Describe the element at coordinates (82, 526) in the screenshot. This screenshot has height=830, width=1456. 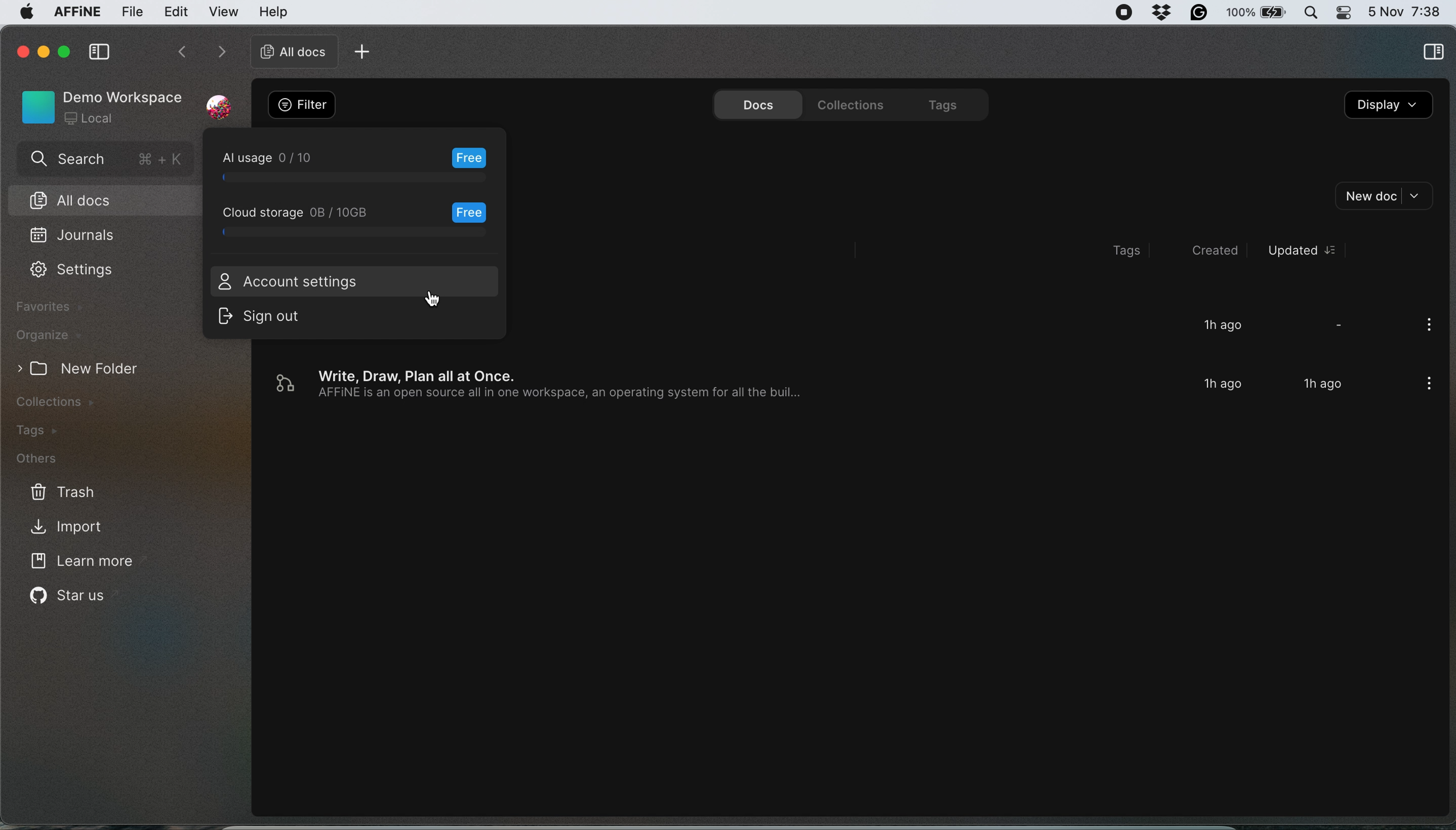
I see `import` at that location.